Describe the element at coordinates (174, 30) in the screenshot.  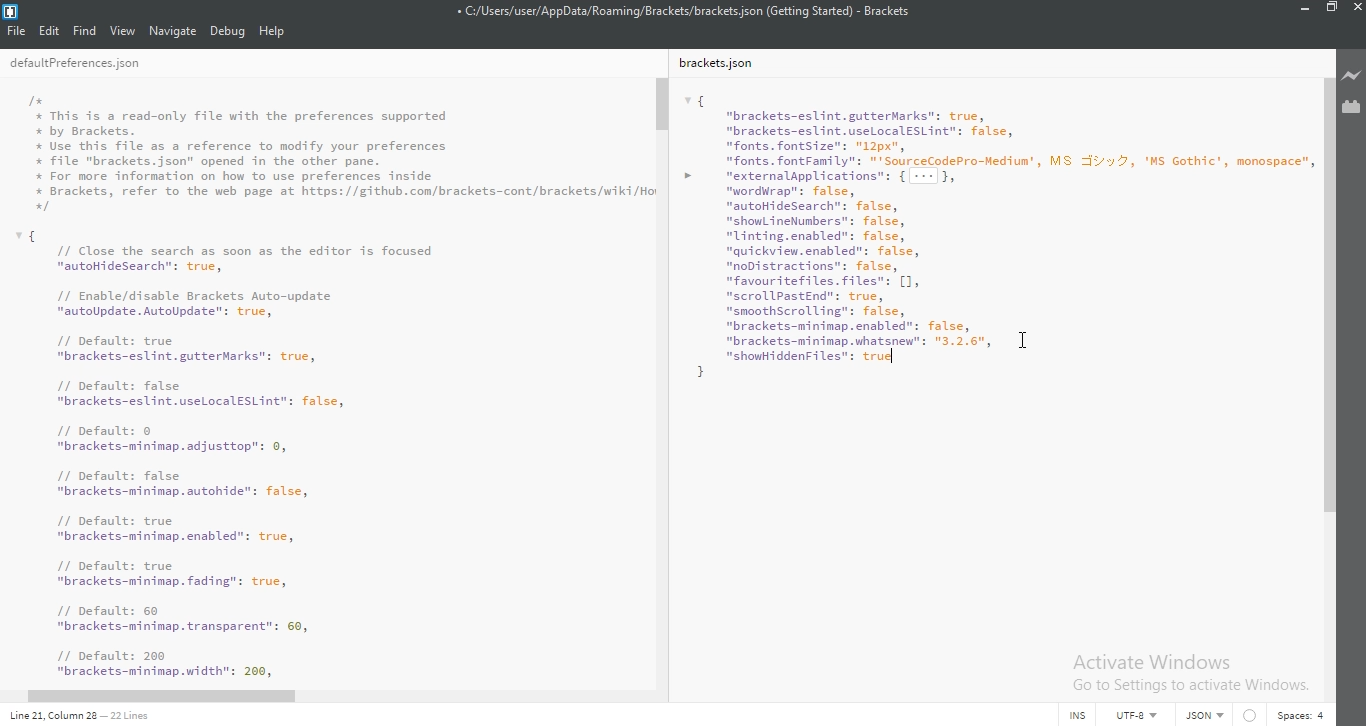
I see `Navigate` at that location.